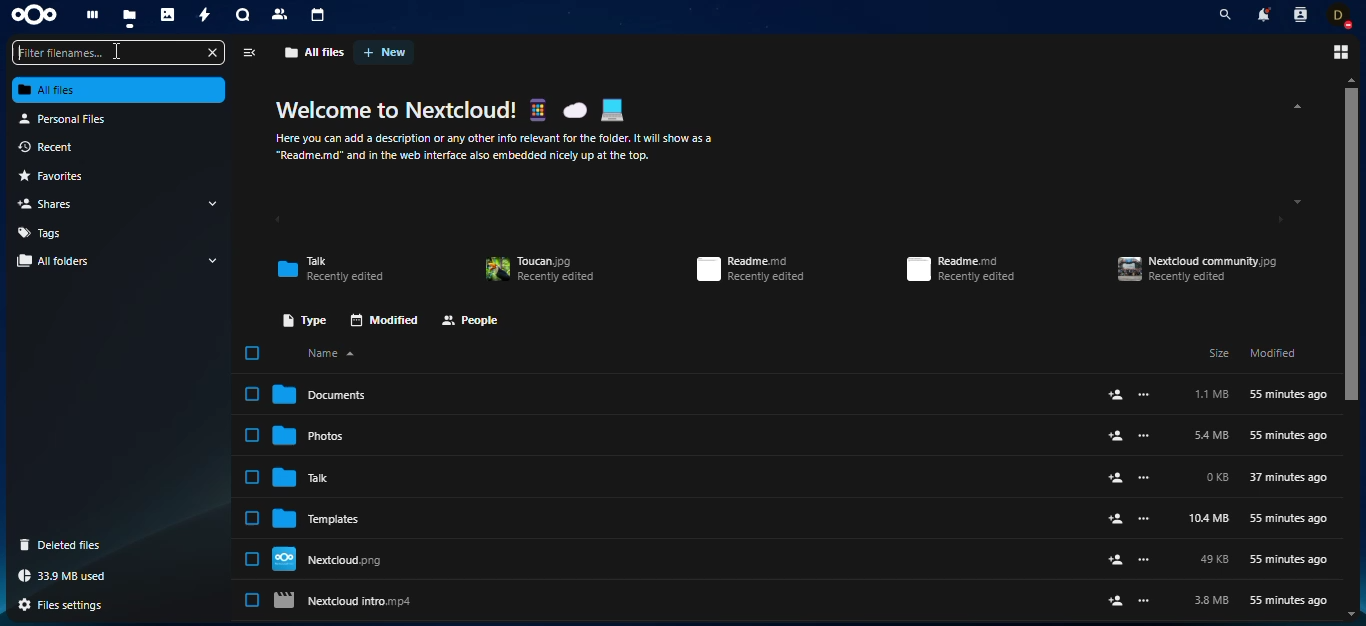 This screenshot has height=626, width=1366. I want to click on 49KB 55 minutes ago, so click(1263, 560).